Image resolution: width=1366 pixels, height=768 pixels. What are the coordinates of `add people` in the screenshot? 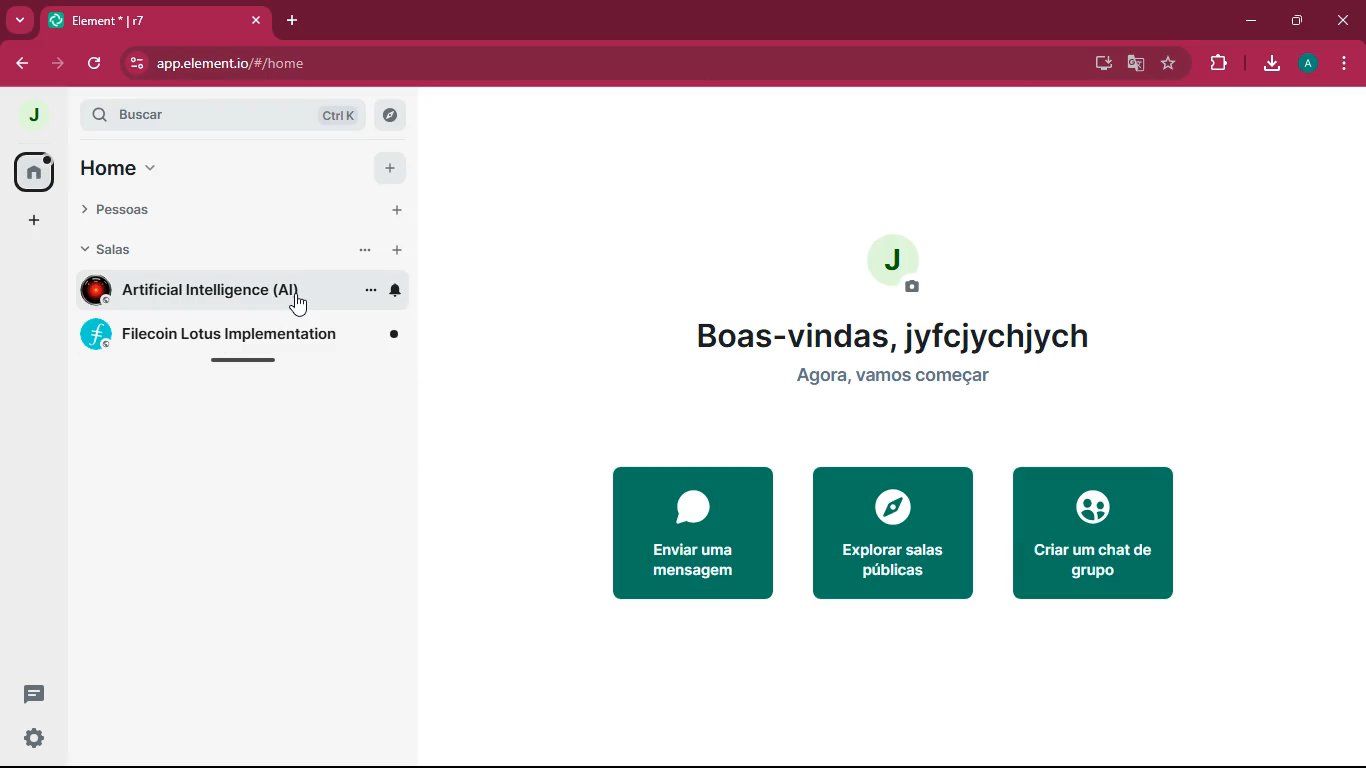 It's located at (395, 211).